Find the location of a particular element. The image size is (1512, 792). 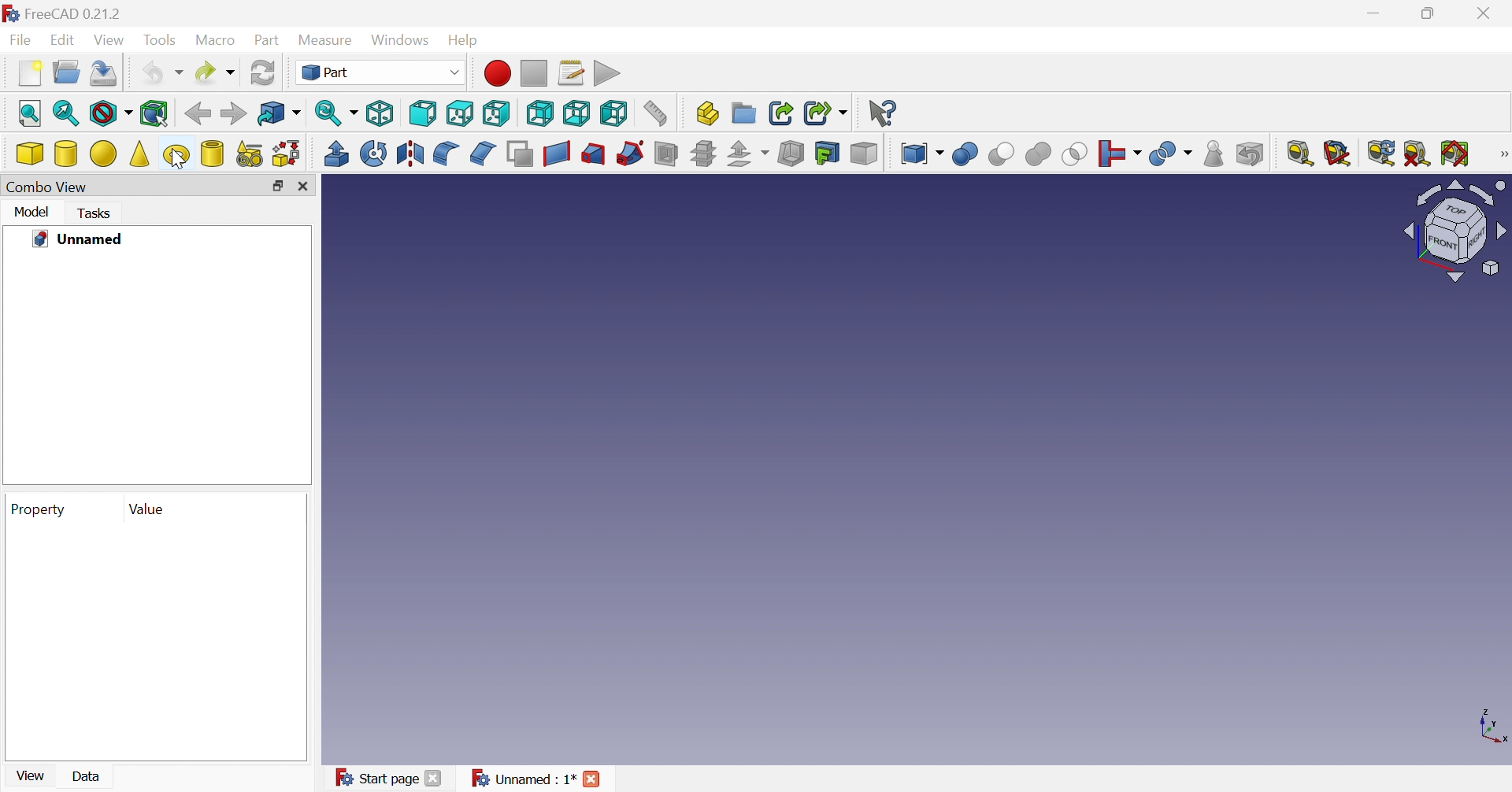

Loft... is located at coordinates (594, 154).